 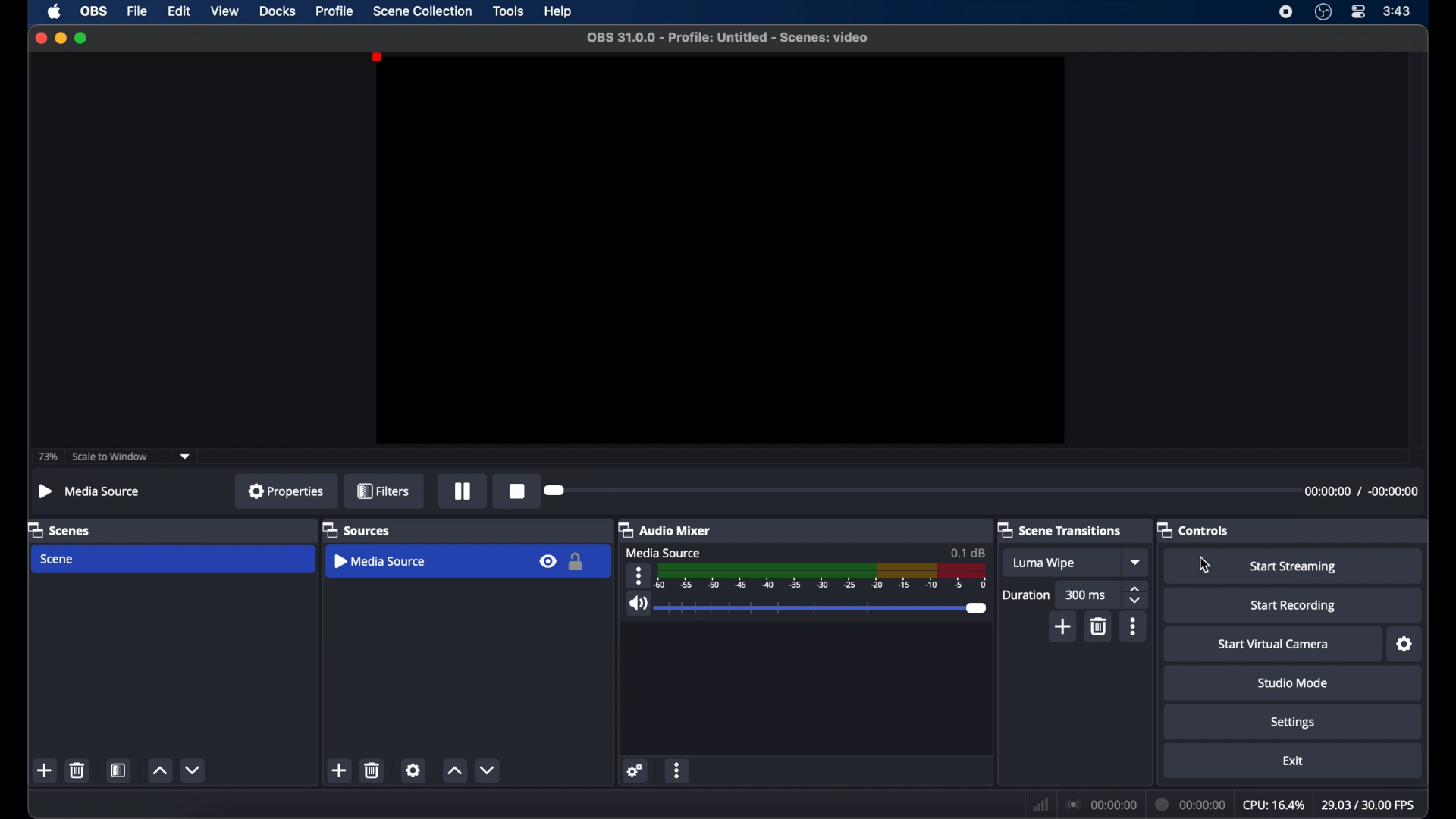 I want to click on settings, so click(x=1294, y=723).